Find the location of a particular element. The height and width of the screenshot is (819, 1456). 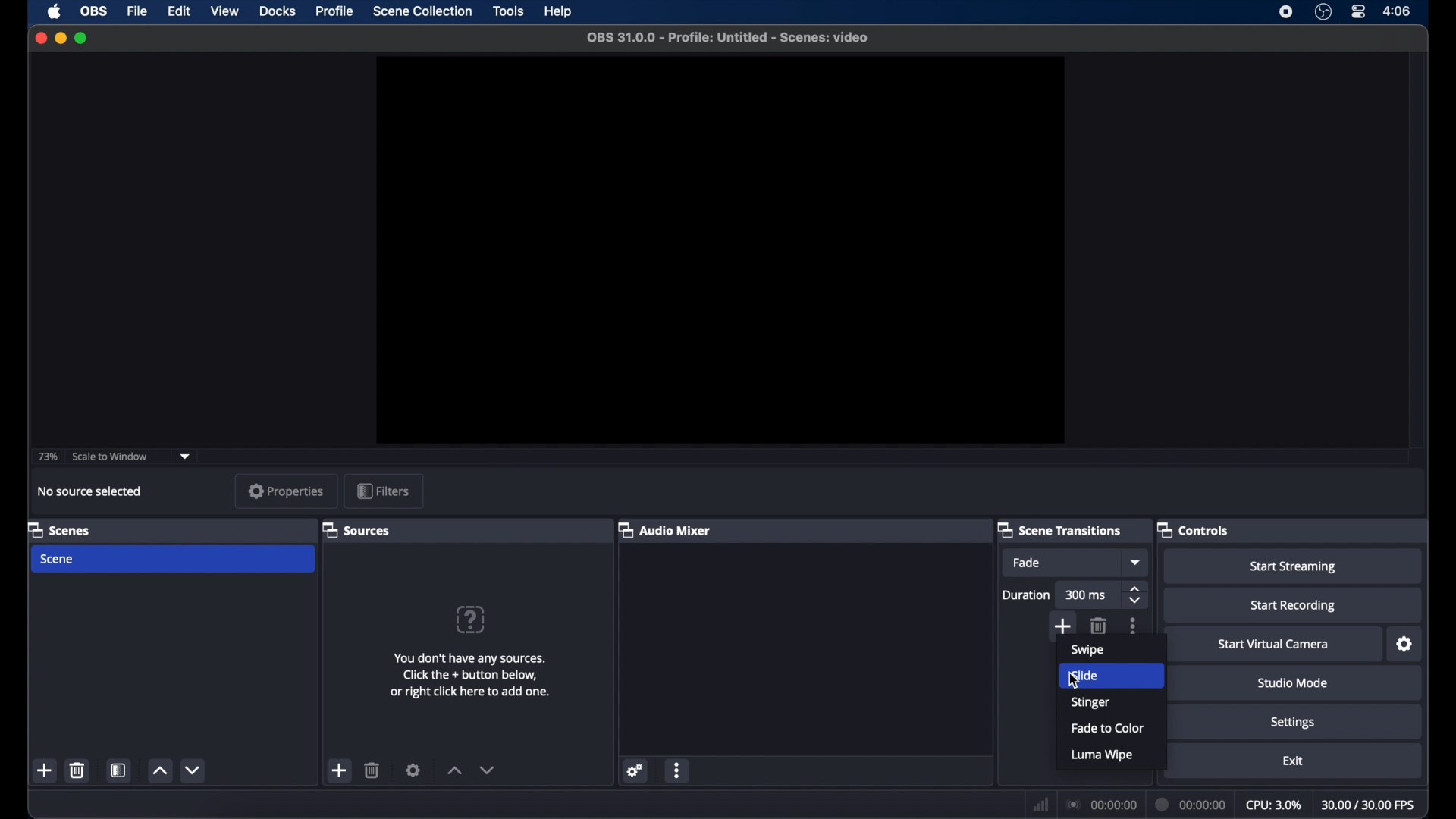

no source selected is located at coordinates (90, 491).